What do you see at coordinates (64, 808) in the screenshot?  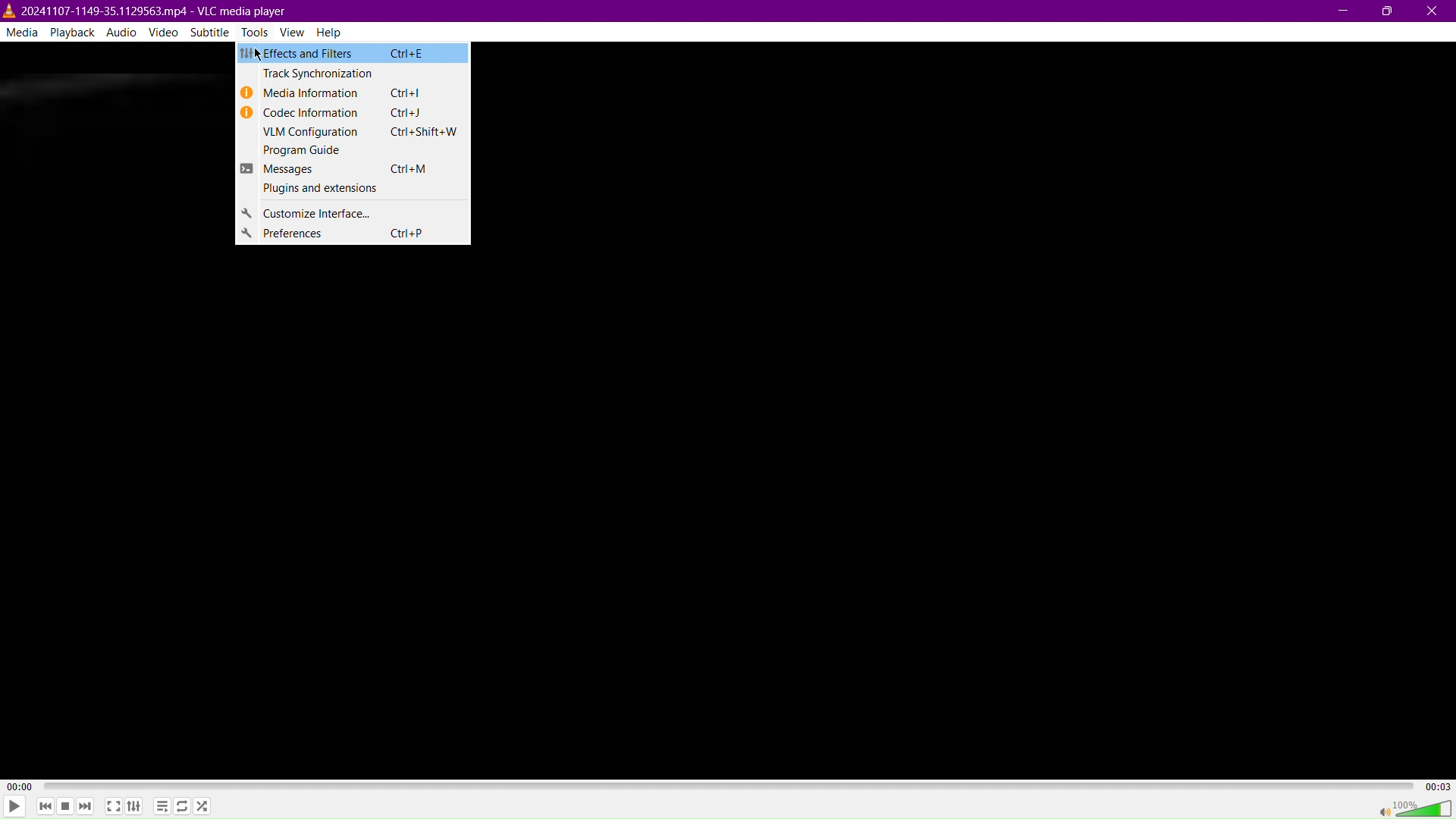 I see `Stop` at bounding box center [64, 808].